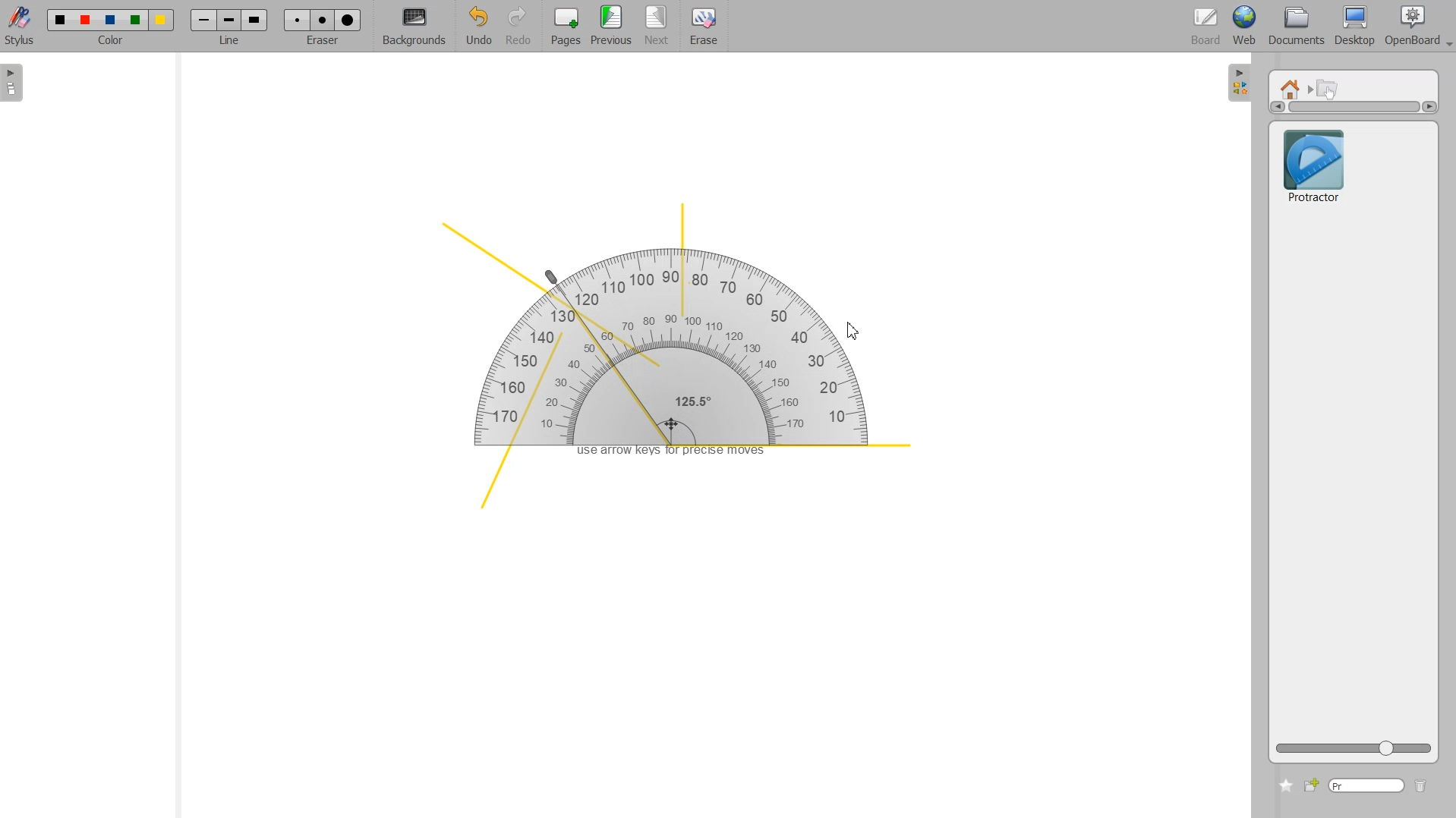 Image resolution: width=1456 pixels, height=818 pixels. Describe the element at coordinates (853, 329) in the screenshot. I see `Cursor` at that location.